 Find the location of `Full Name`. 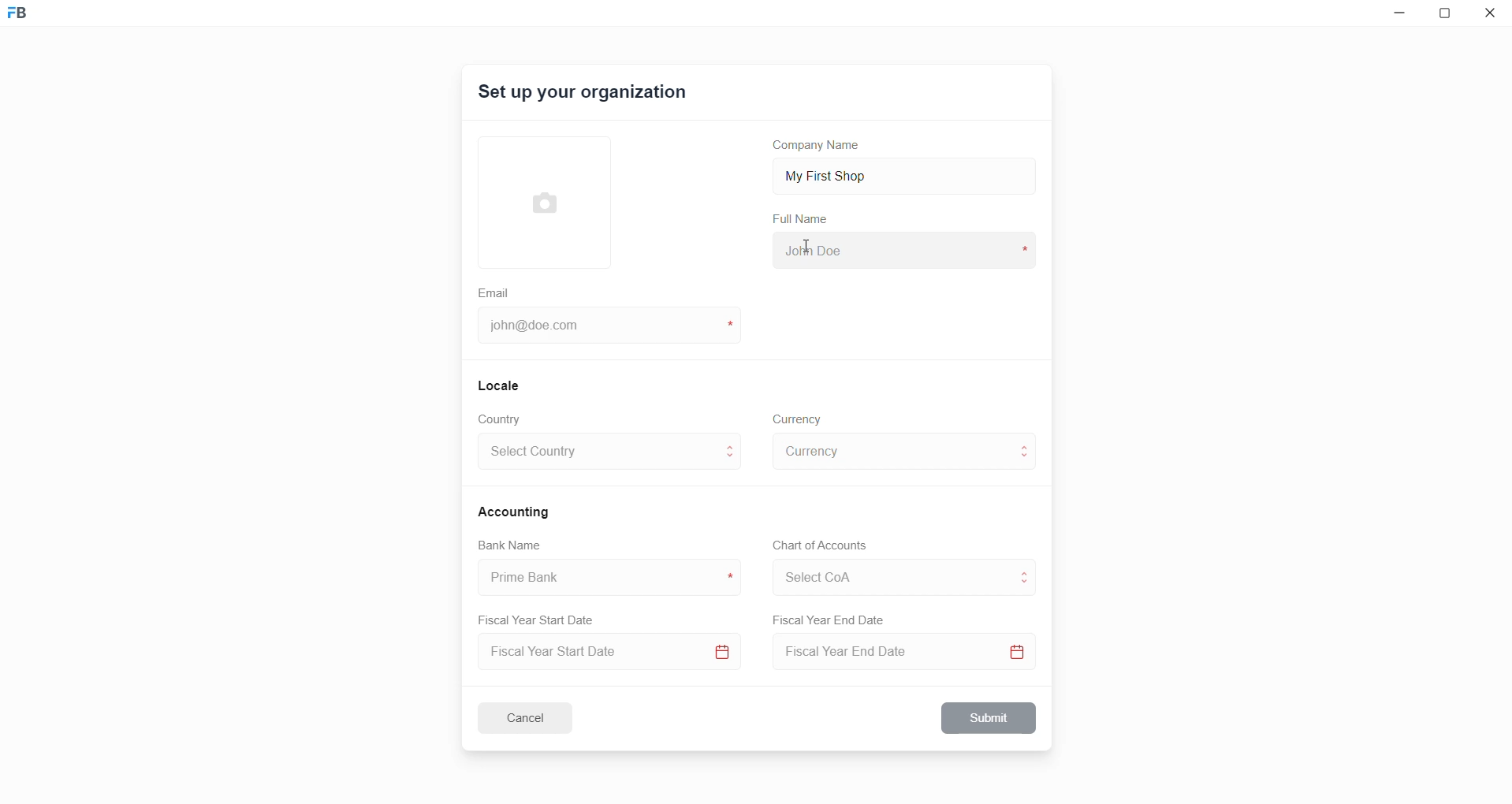

Full Name is located at coordinates (802, 219).